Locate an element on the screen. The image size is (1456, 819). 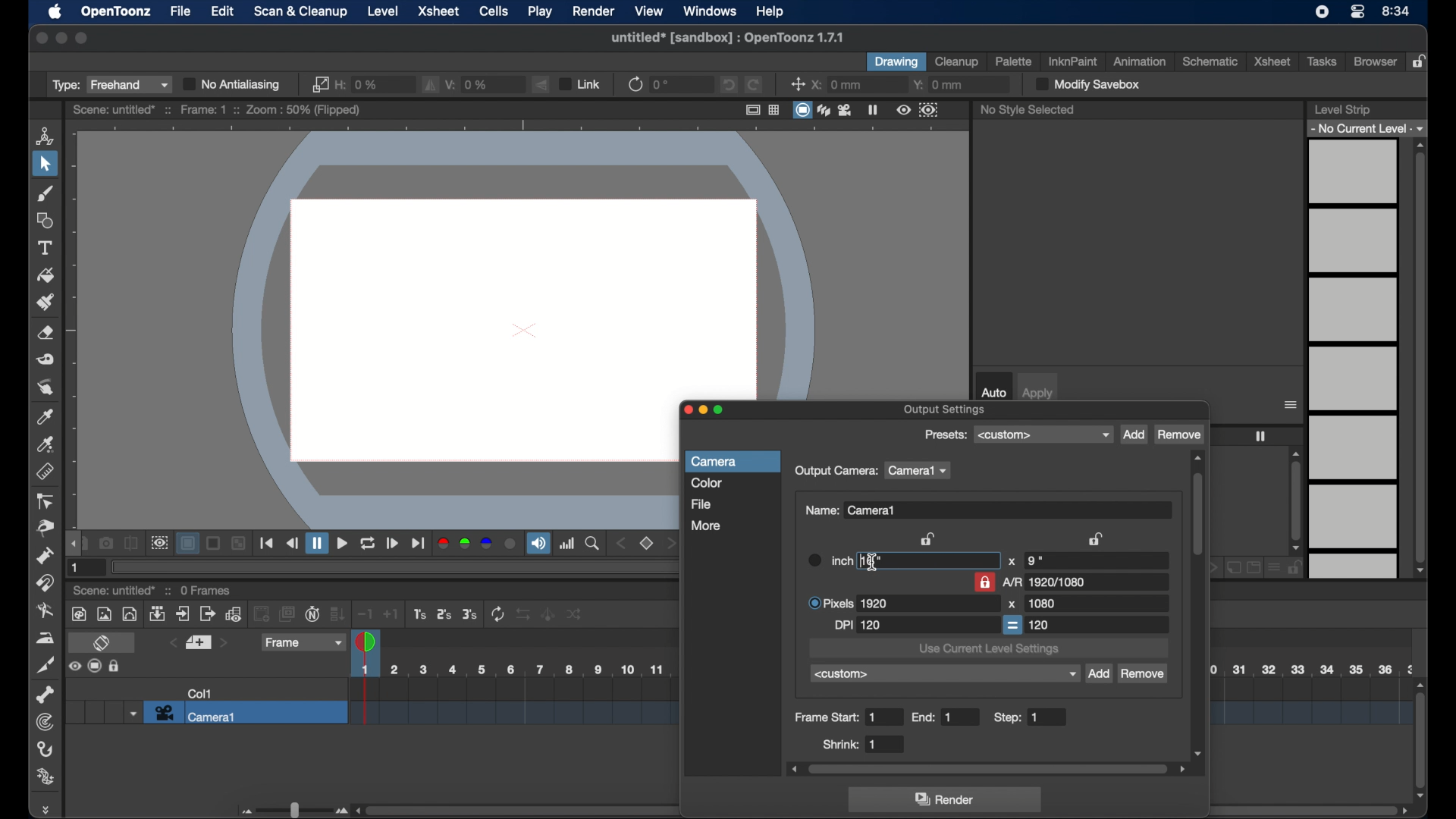
animate tool is located at coordinates (45, 135).